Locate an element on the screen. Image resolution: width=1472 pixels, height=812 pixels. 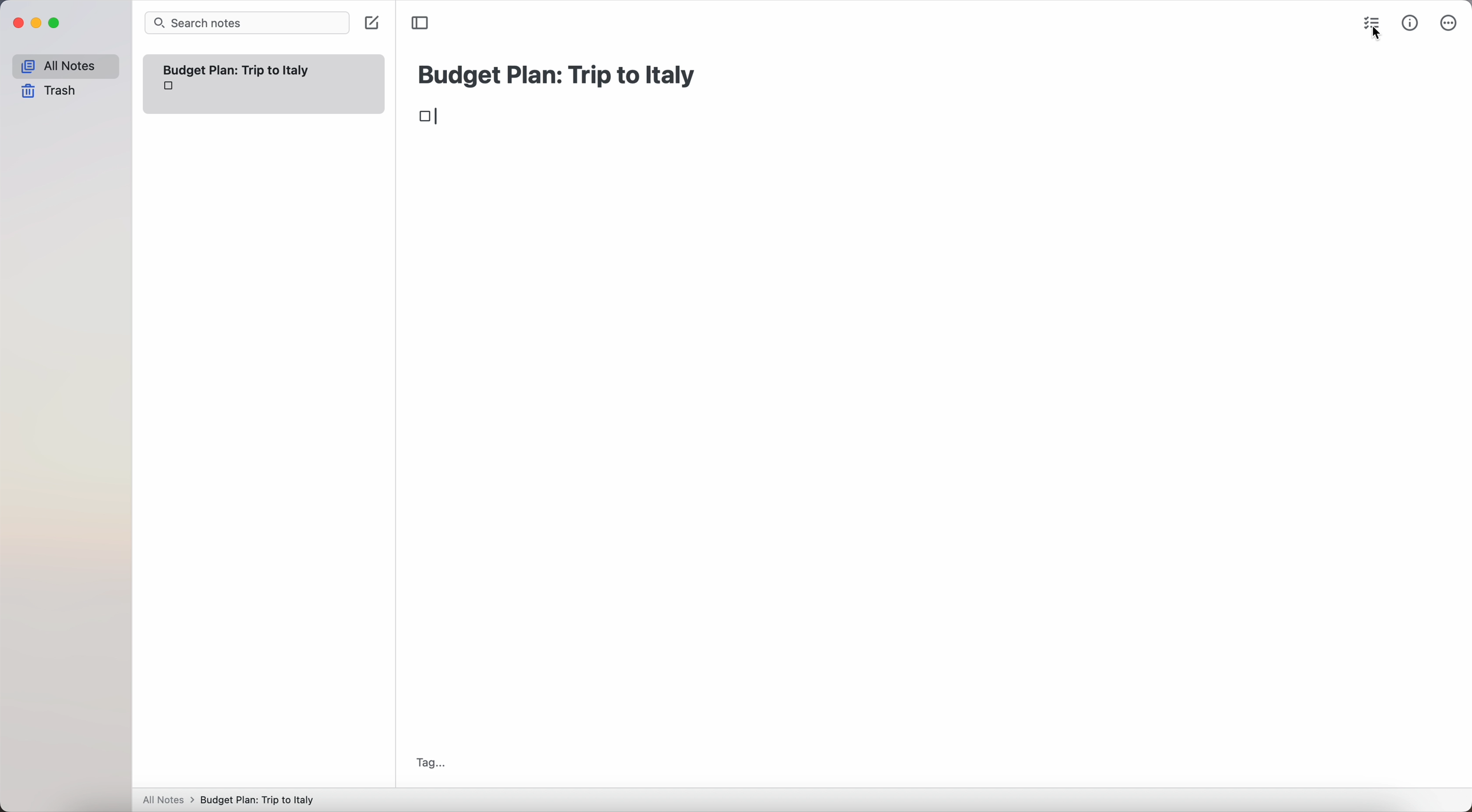
budget plan: trip to Italy is located at coordinates (559, 73).